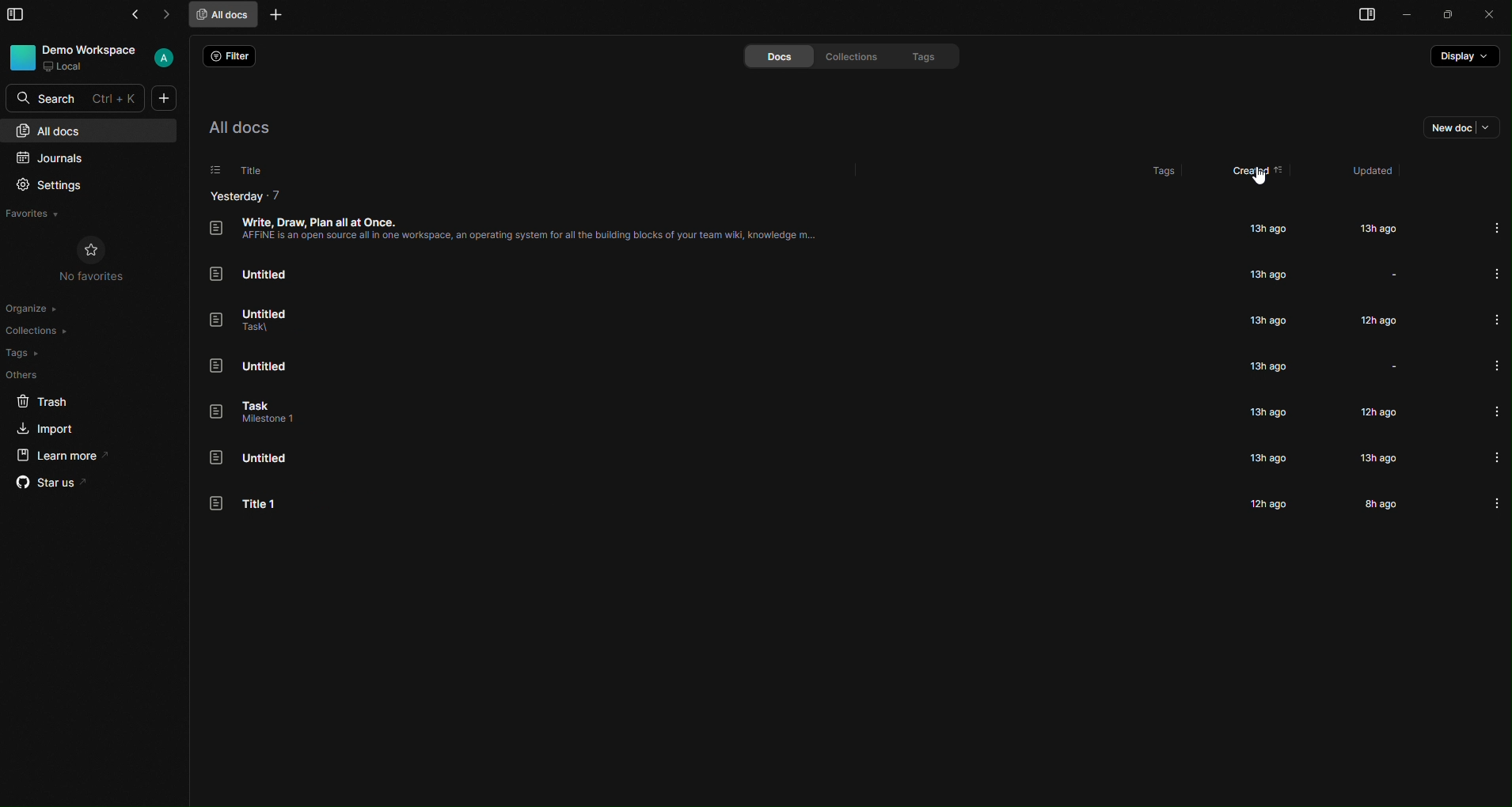  I want to click on title, so click(240, 169).